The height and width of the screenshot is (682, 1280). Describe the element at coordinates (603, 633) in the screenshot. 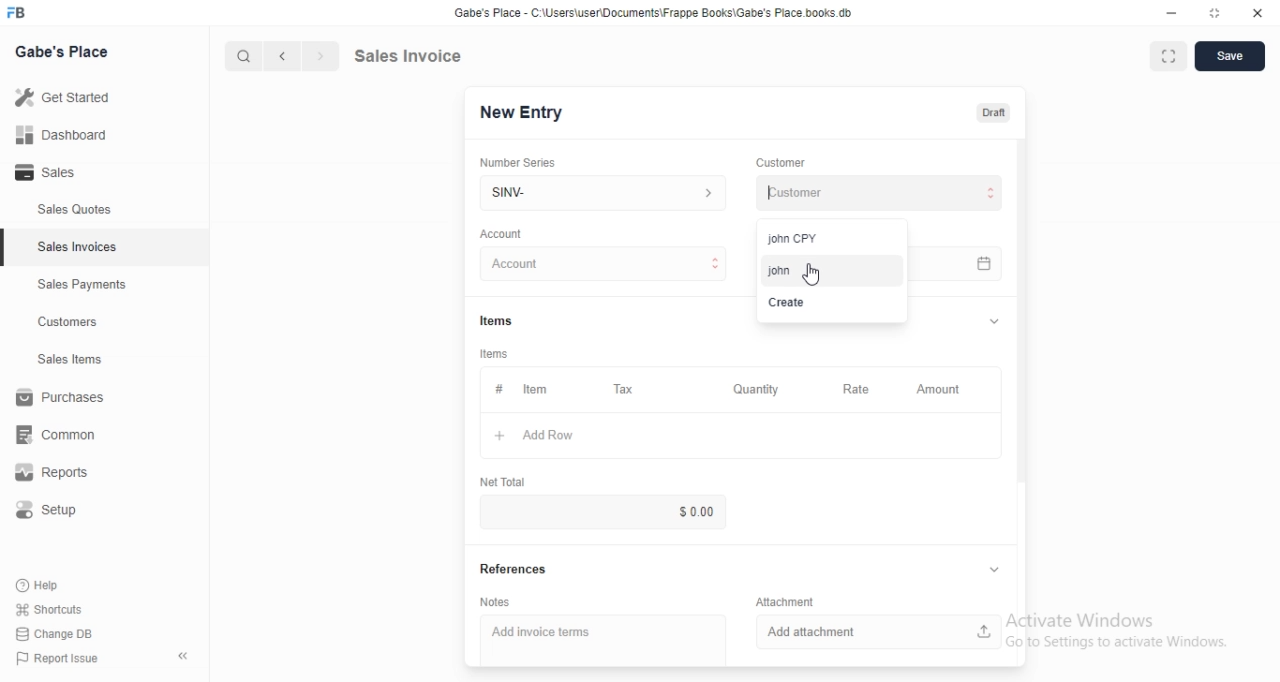

I see `Add invoice terms` at that location.